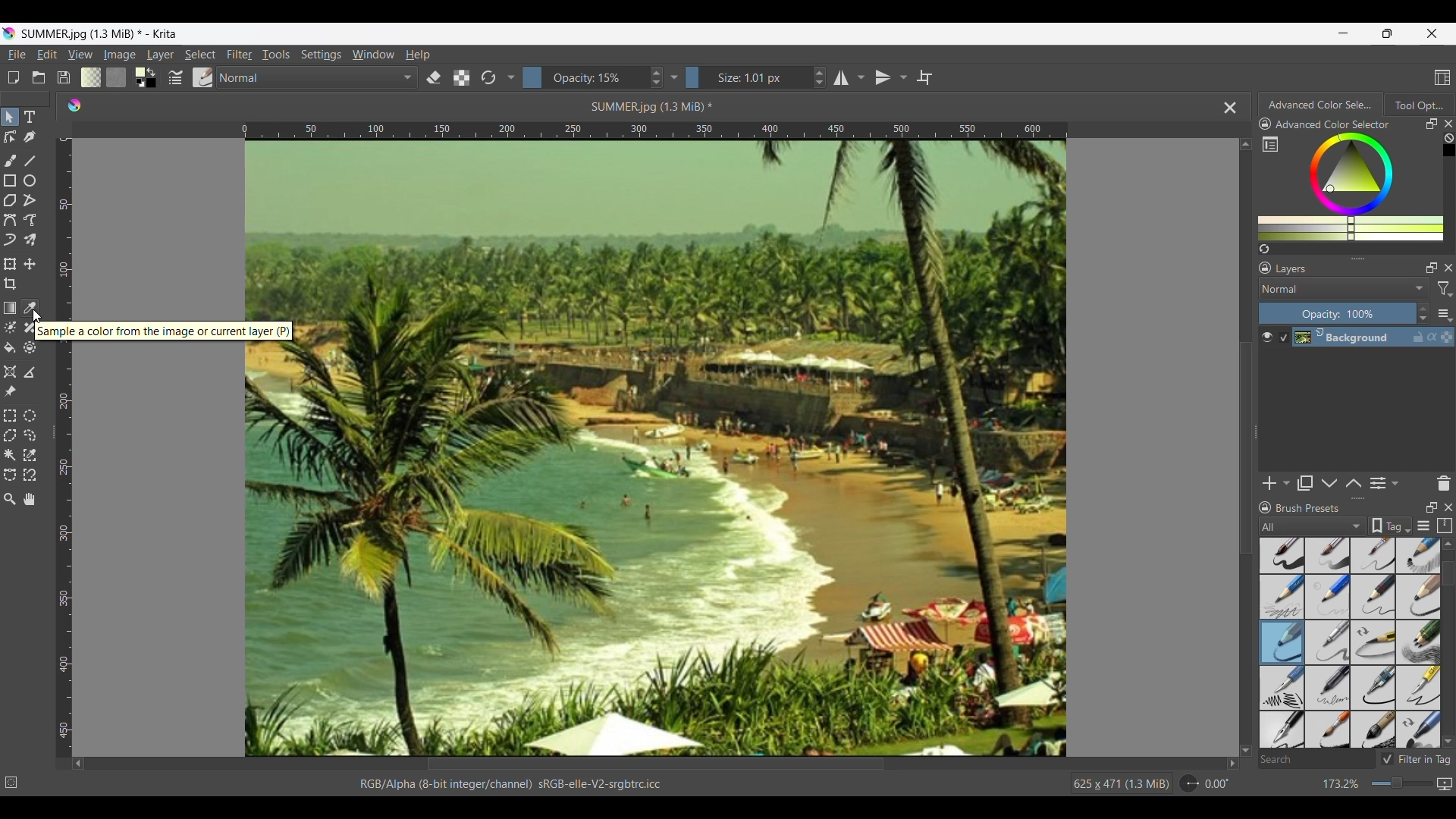 The image size is (1456, 819). What do you see at coordinates (1350, 643) in the screenshot?
I see `Brush options` at bounding box center [1350, 643].